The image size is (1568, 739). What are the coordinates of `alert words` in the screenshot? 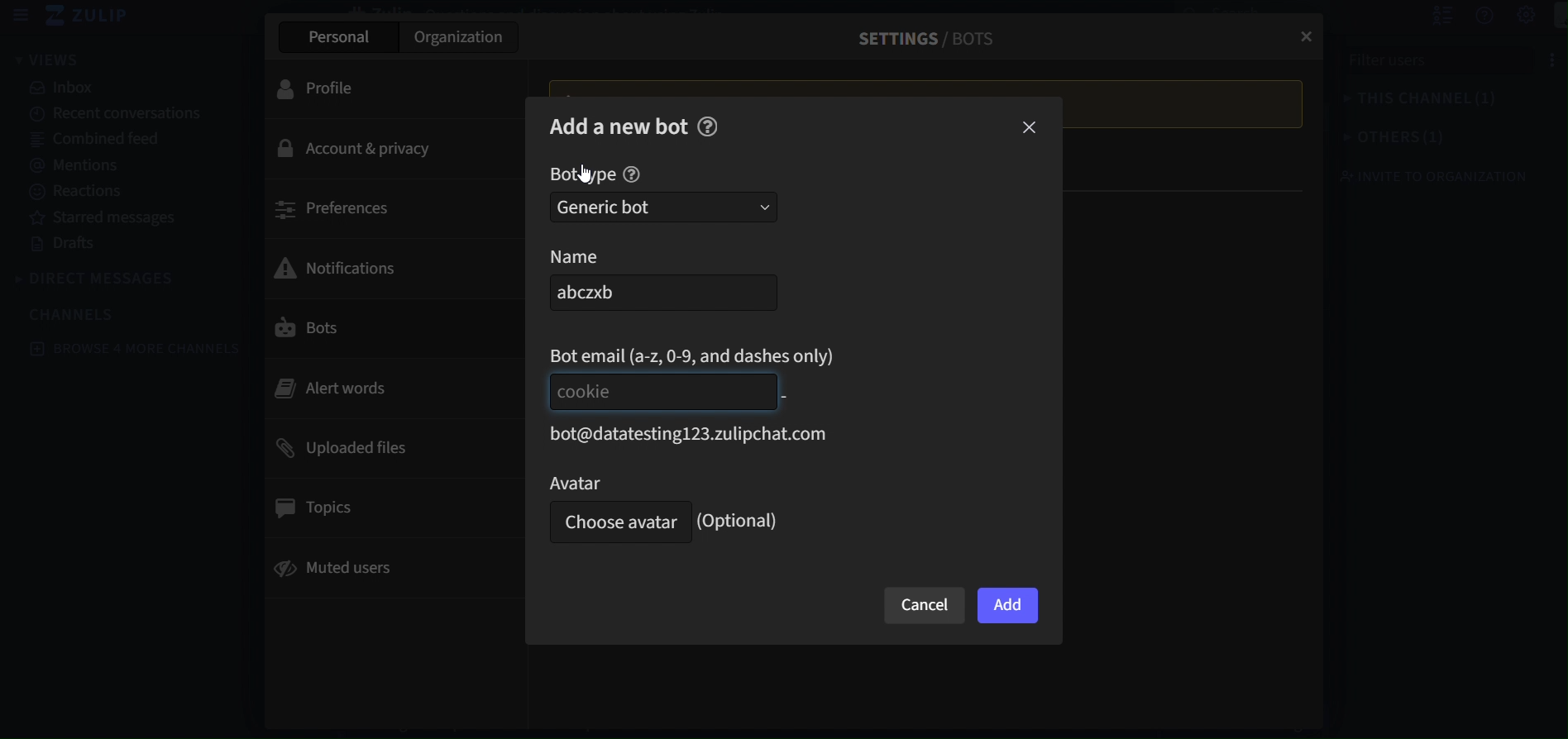 It's located at (385, 388).